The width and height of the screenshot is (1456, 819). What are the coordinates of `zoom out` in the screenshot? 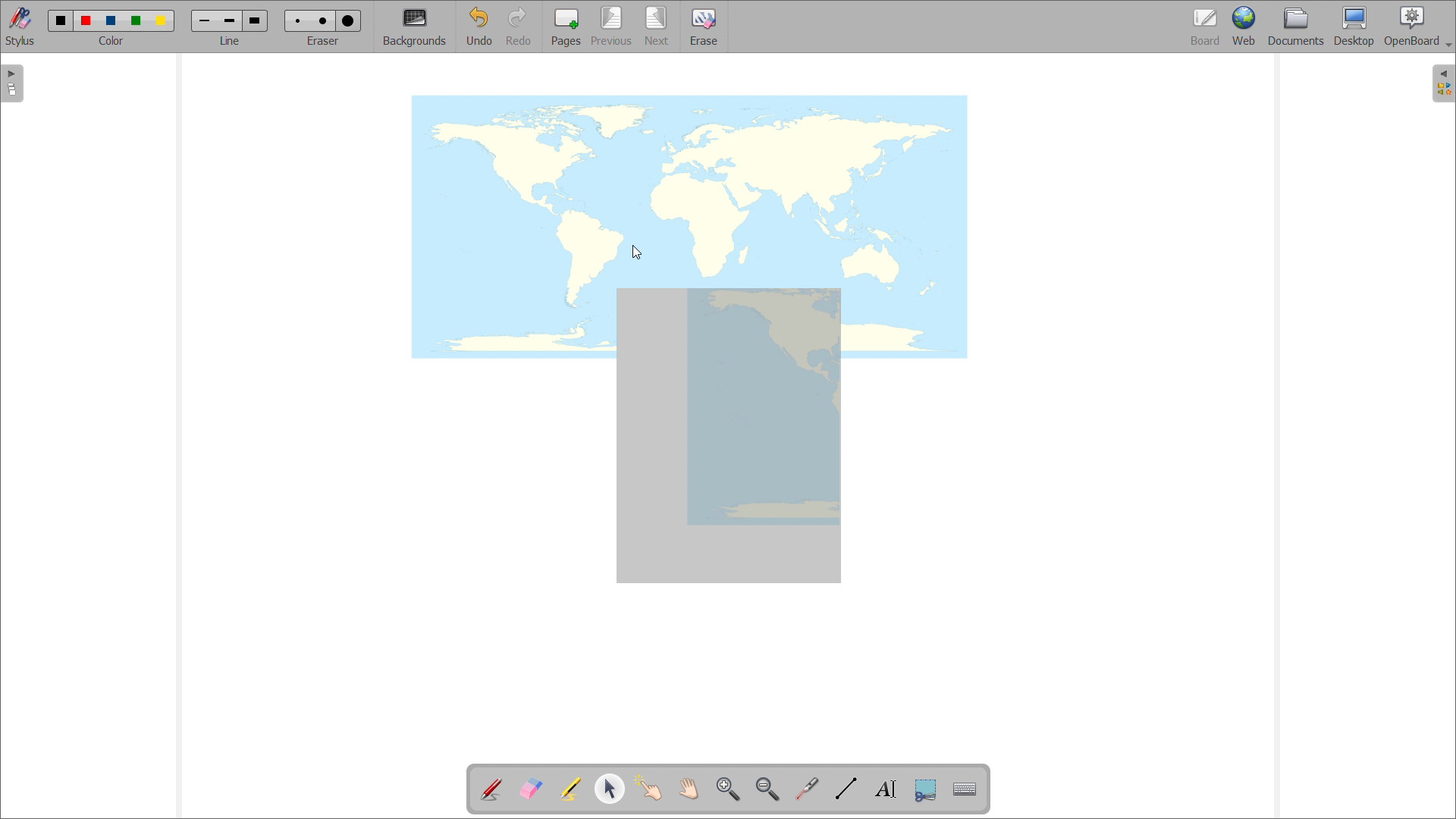 It's located at (767, 789).